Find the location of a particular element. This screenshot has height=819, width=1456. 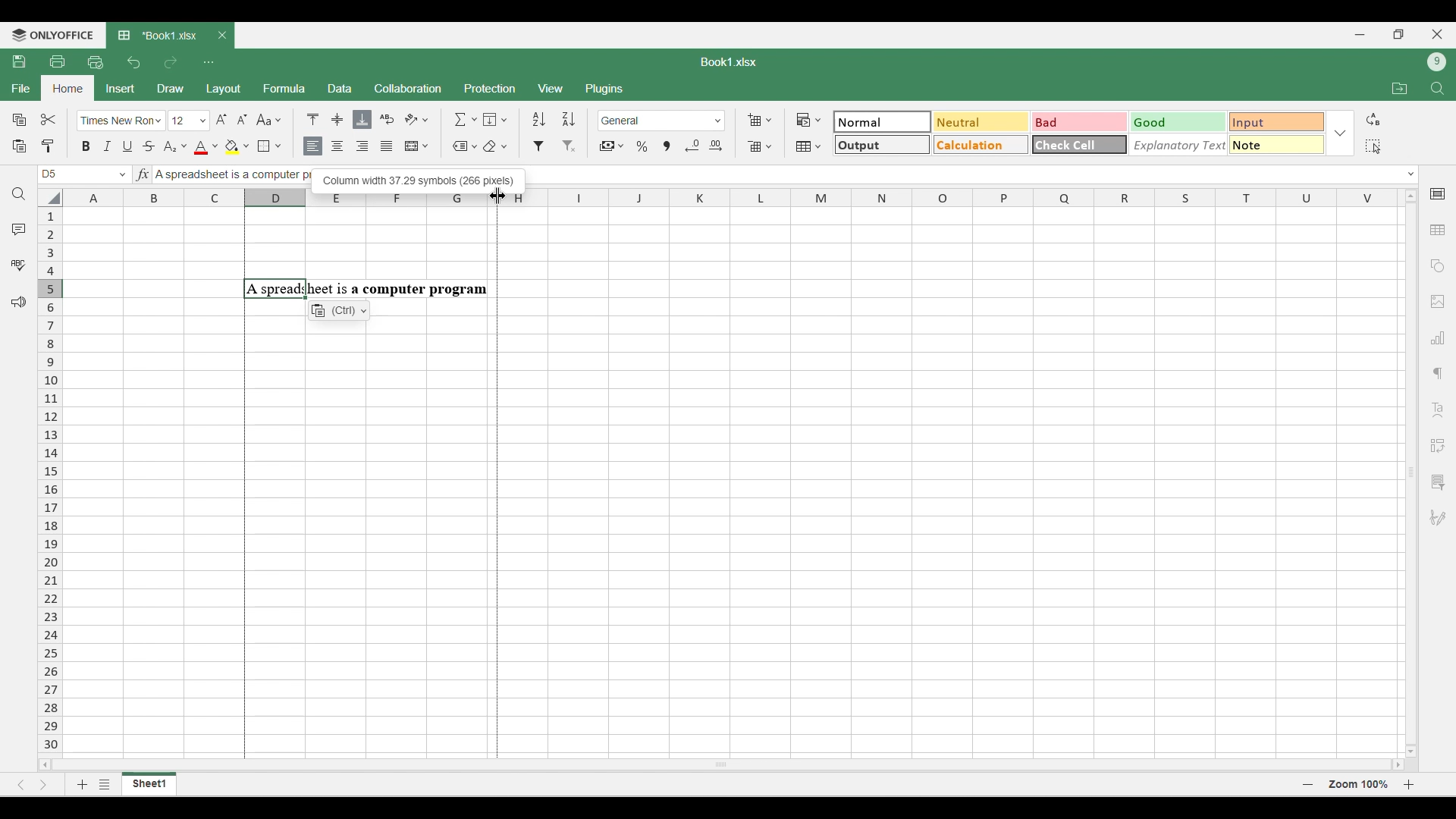

Type in equation is located at coordinates (142, 174).